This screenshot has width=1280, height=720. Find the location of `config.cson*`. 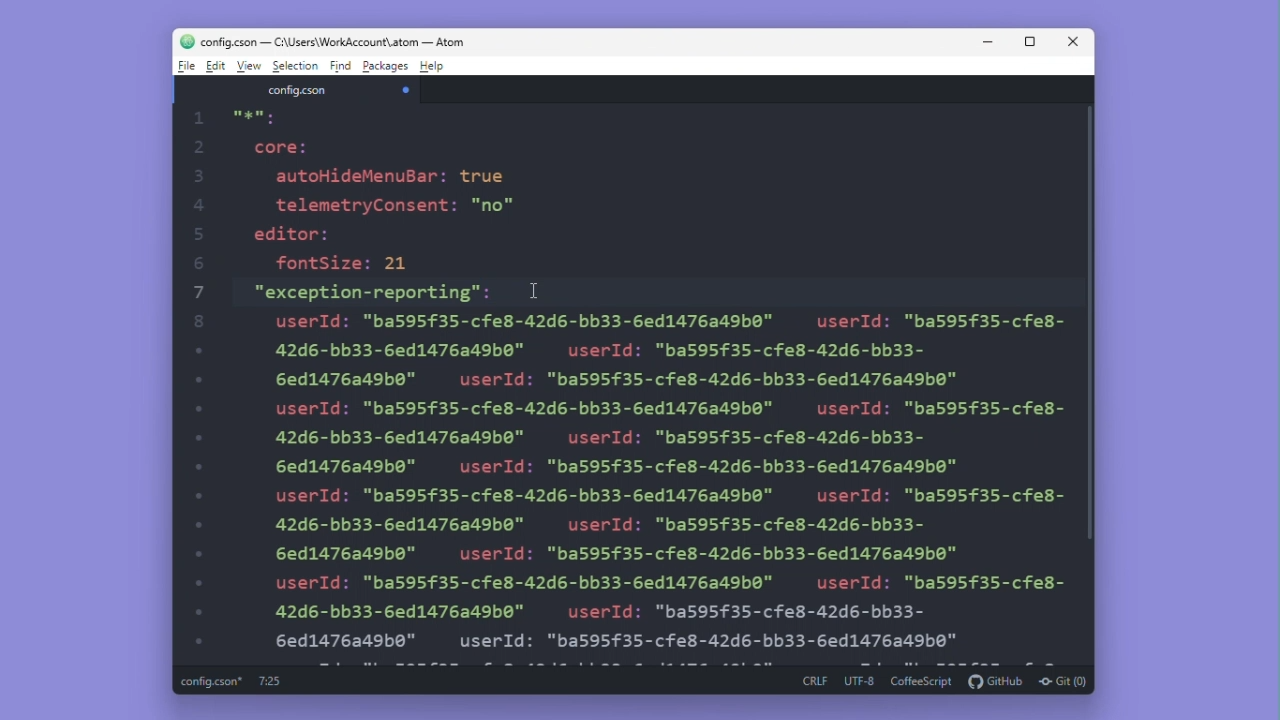

config.cson* is located at coordinates (214, 682).